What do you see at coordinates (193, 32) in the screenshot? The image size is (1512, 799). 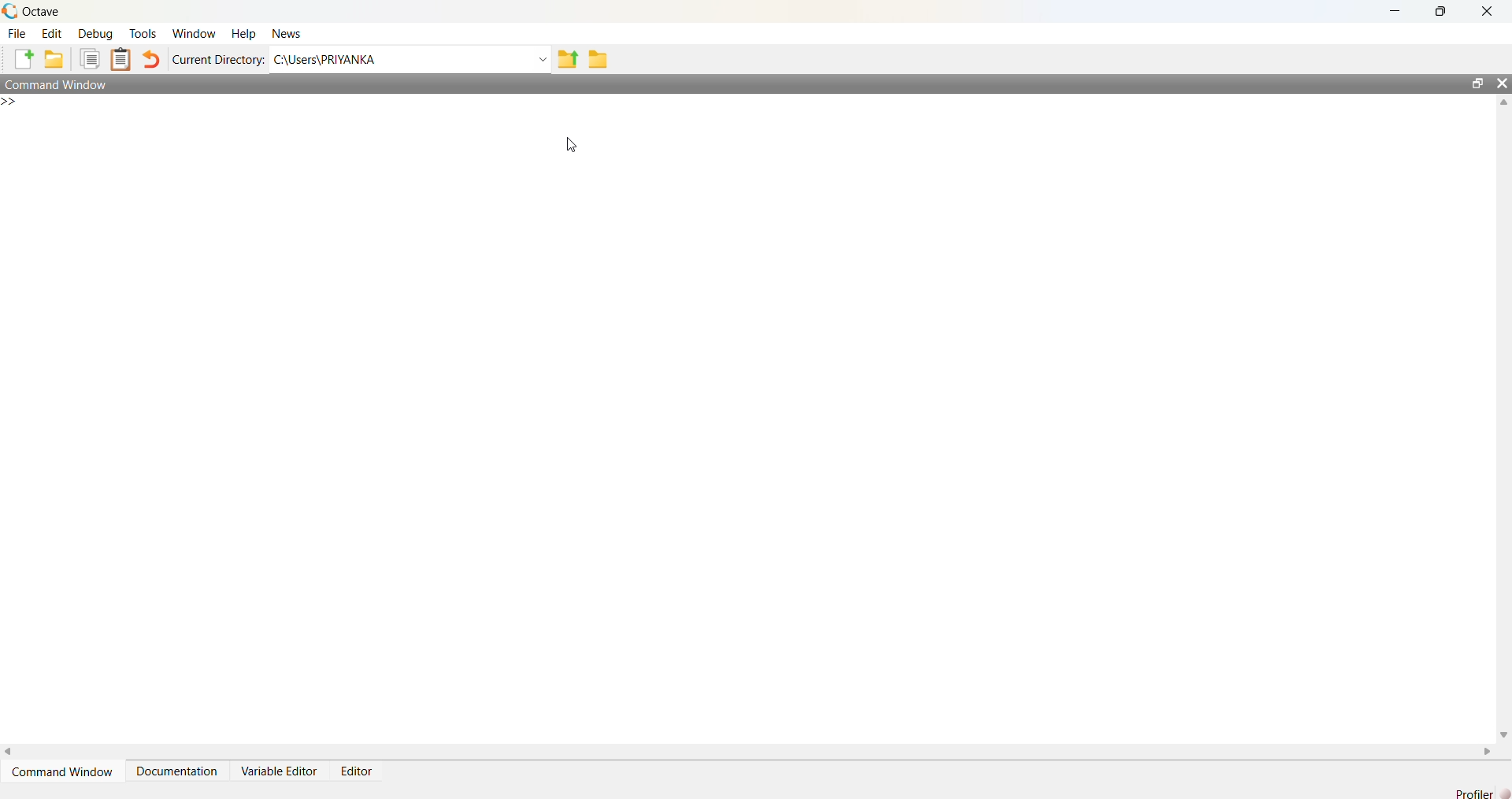 I see `Window` at bounding box center [193, 32].